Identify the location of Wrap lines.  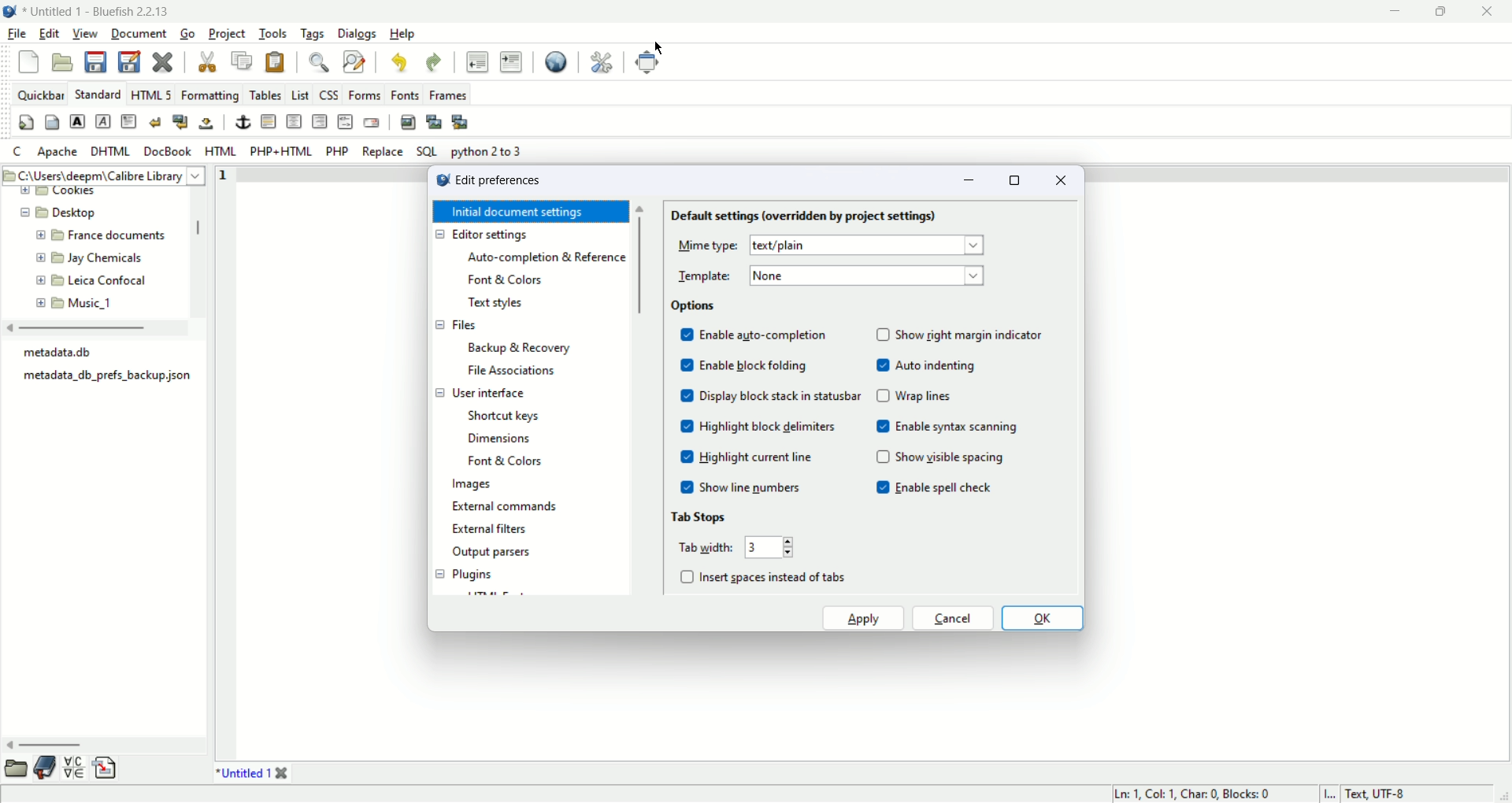
(936, 394).